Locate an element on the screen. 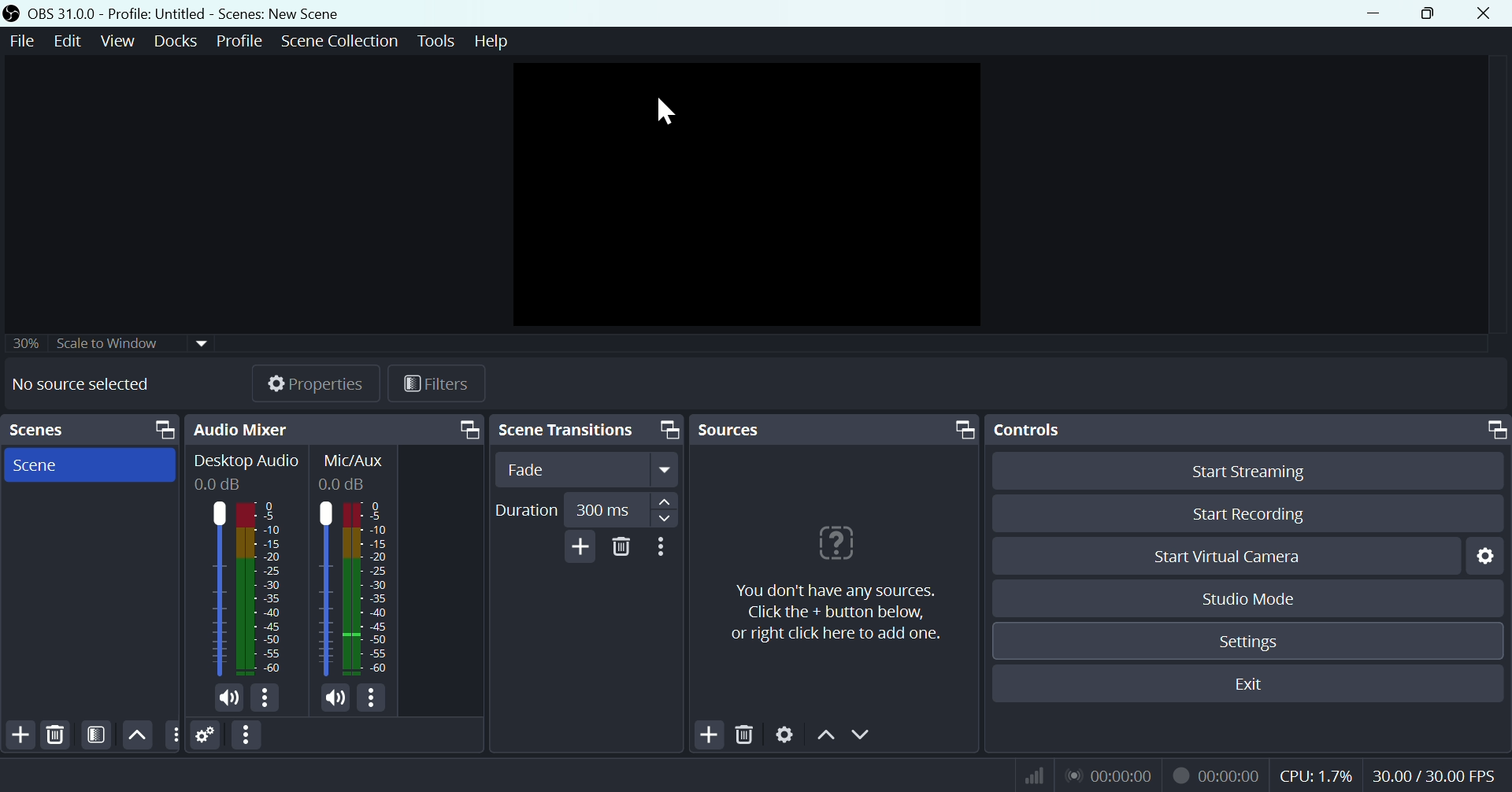 This screenshot has height=792, width=1512. Edit is located at coordinates (69, 40).